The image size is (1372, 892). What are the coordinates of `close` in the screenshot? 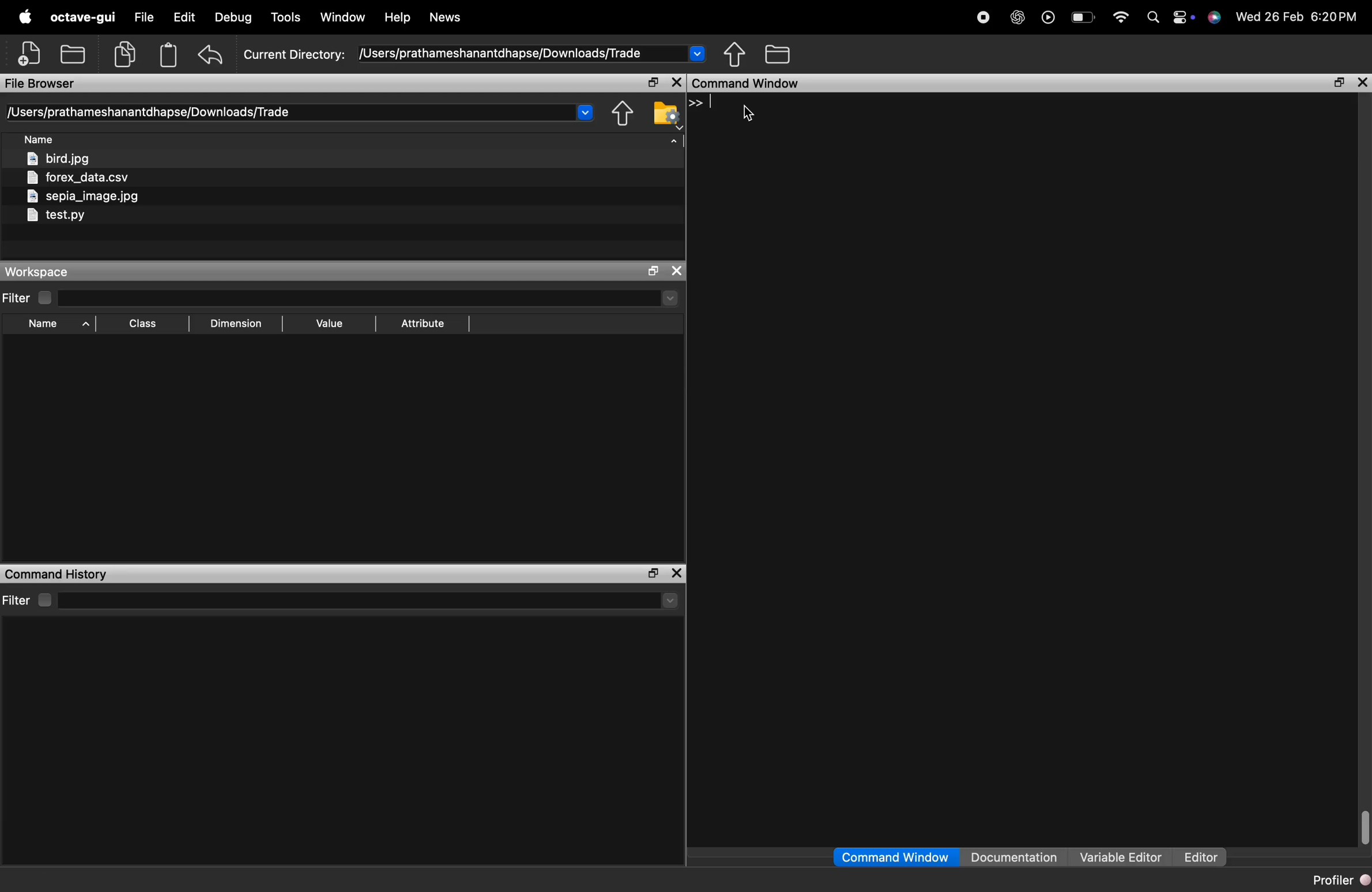 It's located at (677, 271).